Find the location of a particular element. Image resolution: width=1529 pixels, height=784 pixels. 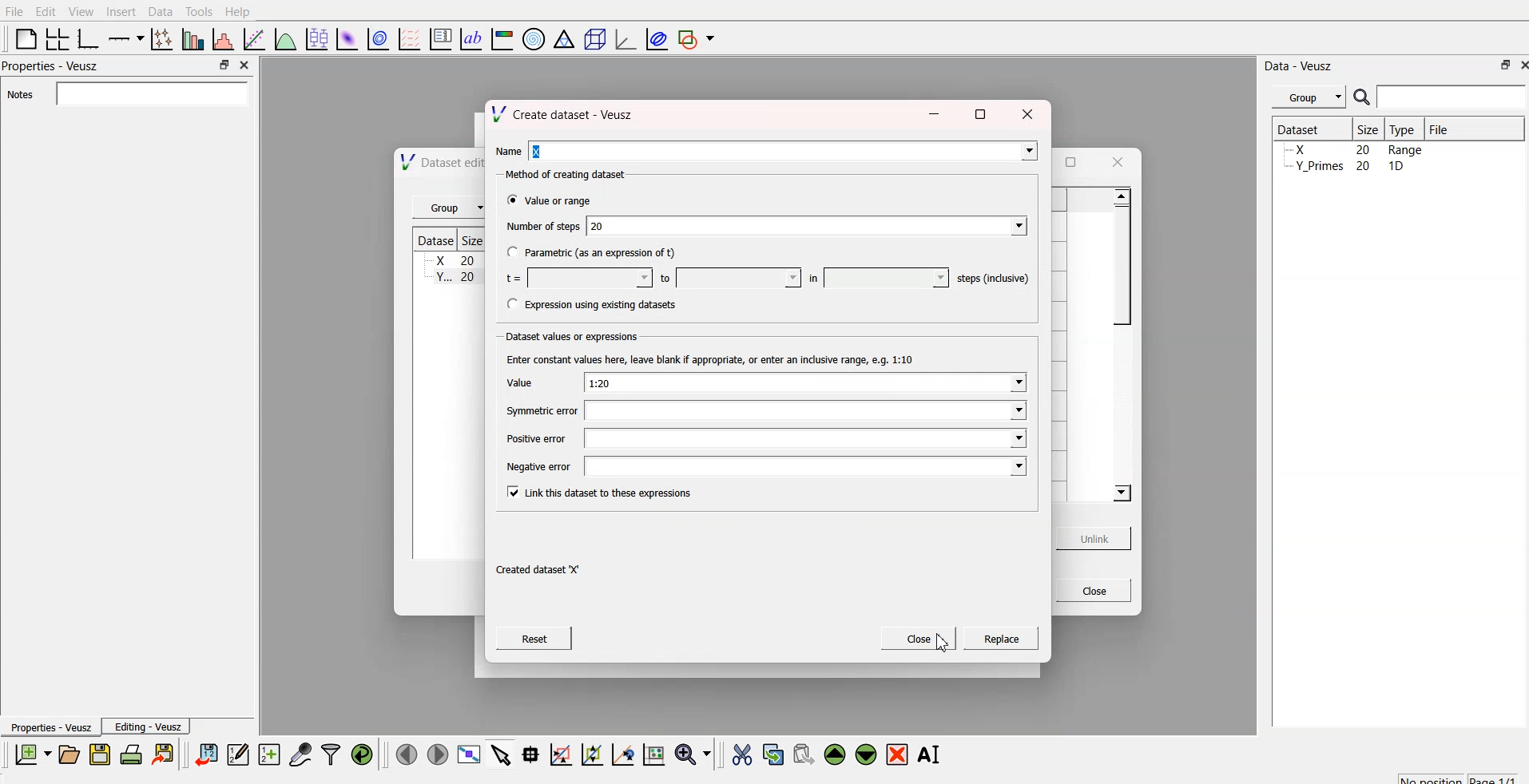

to is located at coordinates (727, 278).